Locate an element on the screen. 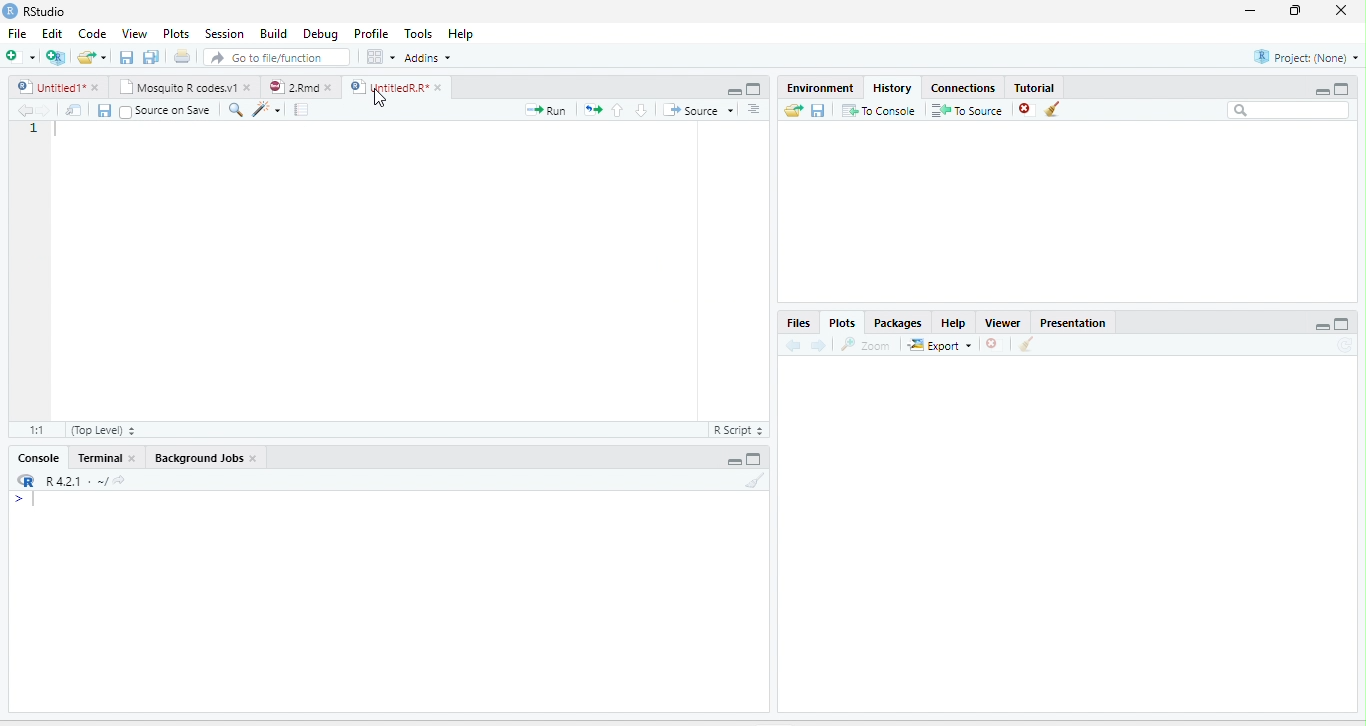 This screenshot has width=1366, height=726. close is located at coordinates (254, 458).